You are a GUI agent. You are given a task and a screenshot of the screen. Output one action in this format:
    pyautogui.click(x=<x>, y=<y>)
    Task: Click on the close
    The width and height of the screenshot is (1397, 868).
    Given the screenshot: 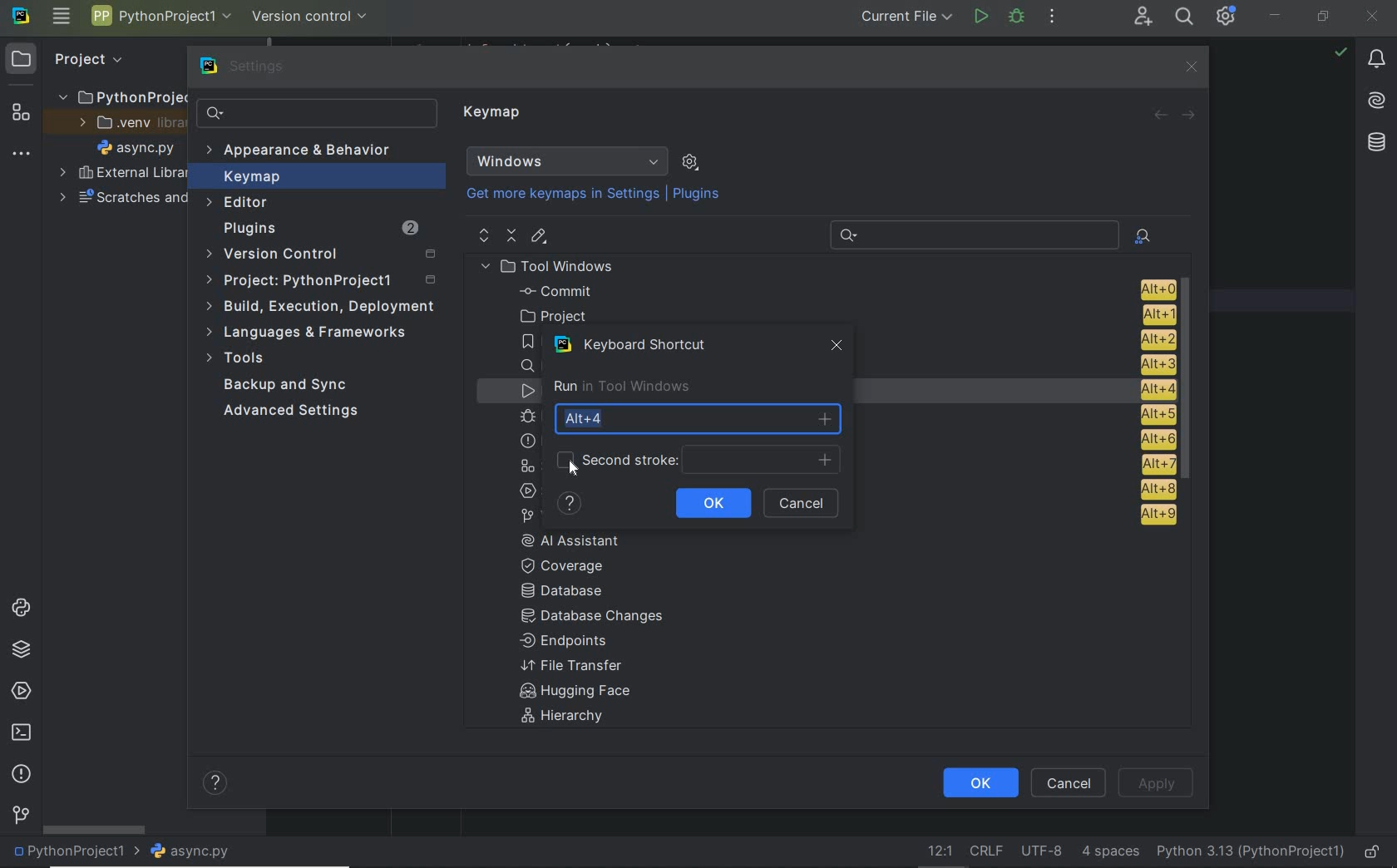 What is the action you would take?
    pyautogui.click(x=838, y=349)
    